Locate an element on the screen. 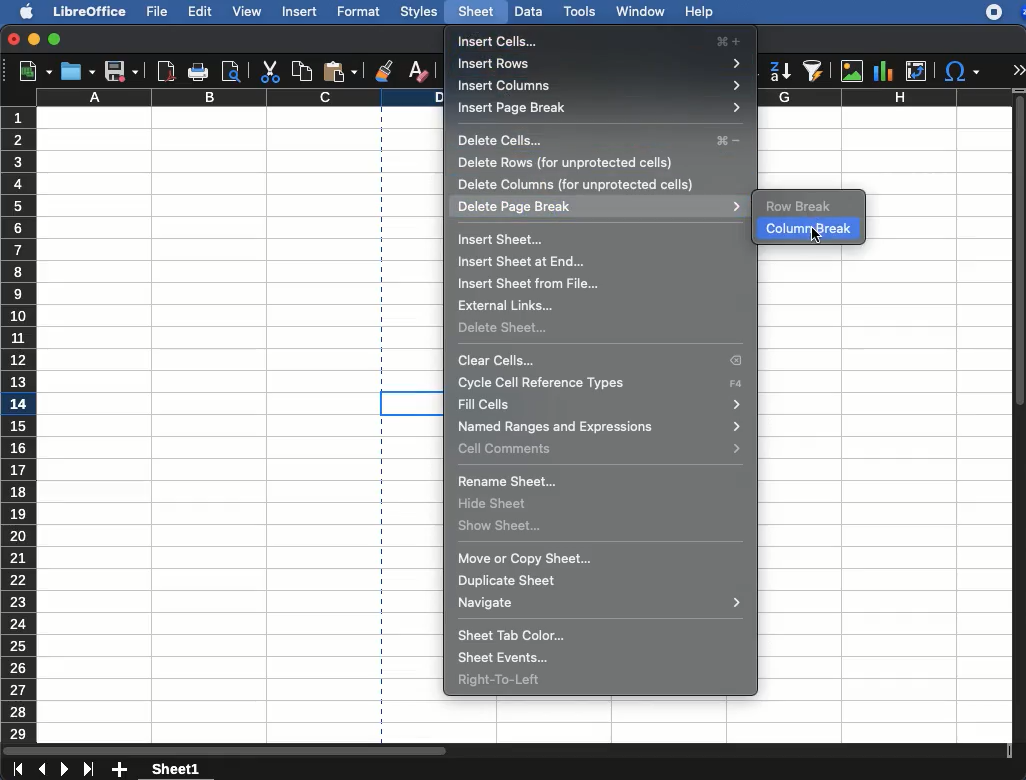 The height and width of the screenshot is (780, 1026). right to left is located at coordinates (501, 681).